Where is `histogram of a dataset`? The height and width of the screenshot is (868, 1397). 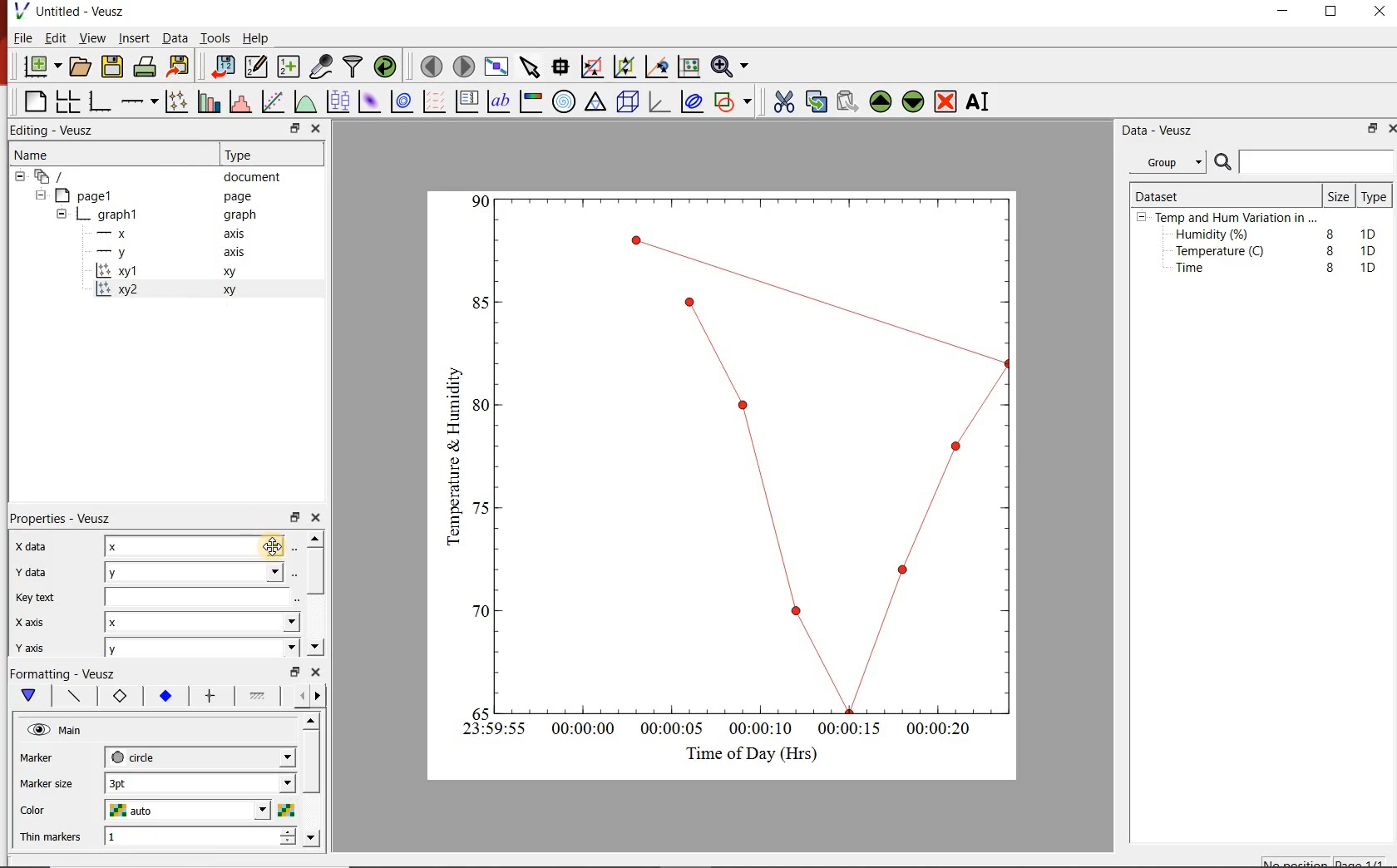
histogram of a dataset is located at coordinates (243, 101).